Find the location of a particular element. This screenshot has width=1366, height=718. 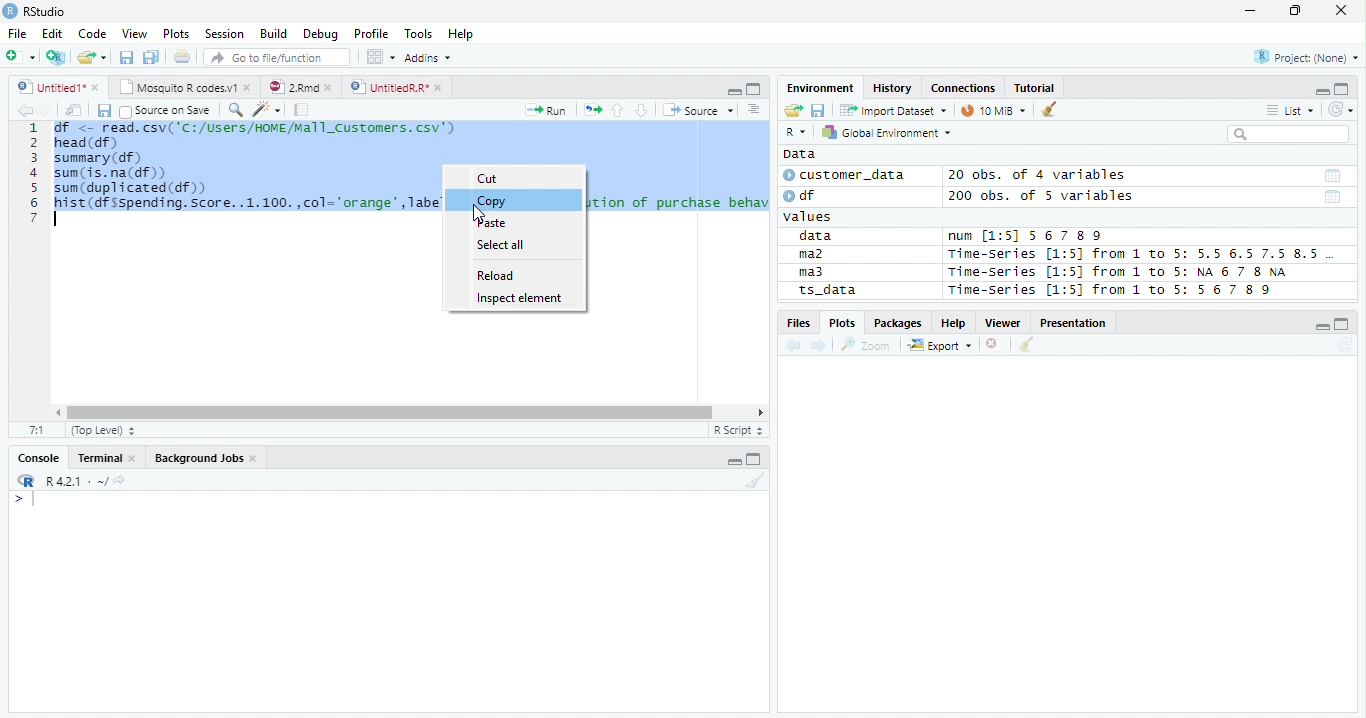

Cursor is located at coordinates (478, 217).